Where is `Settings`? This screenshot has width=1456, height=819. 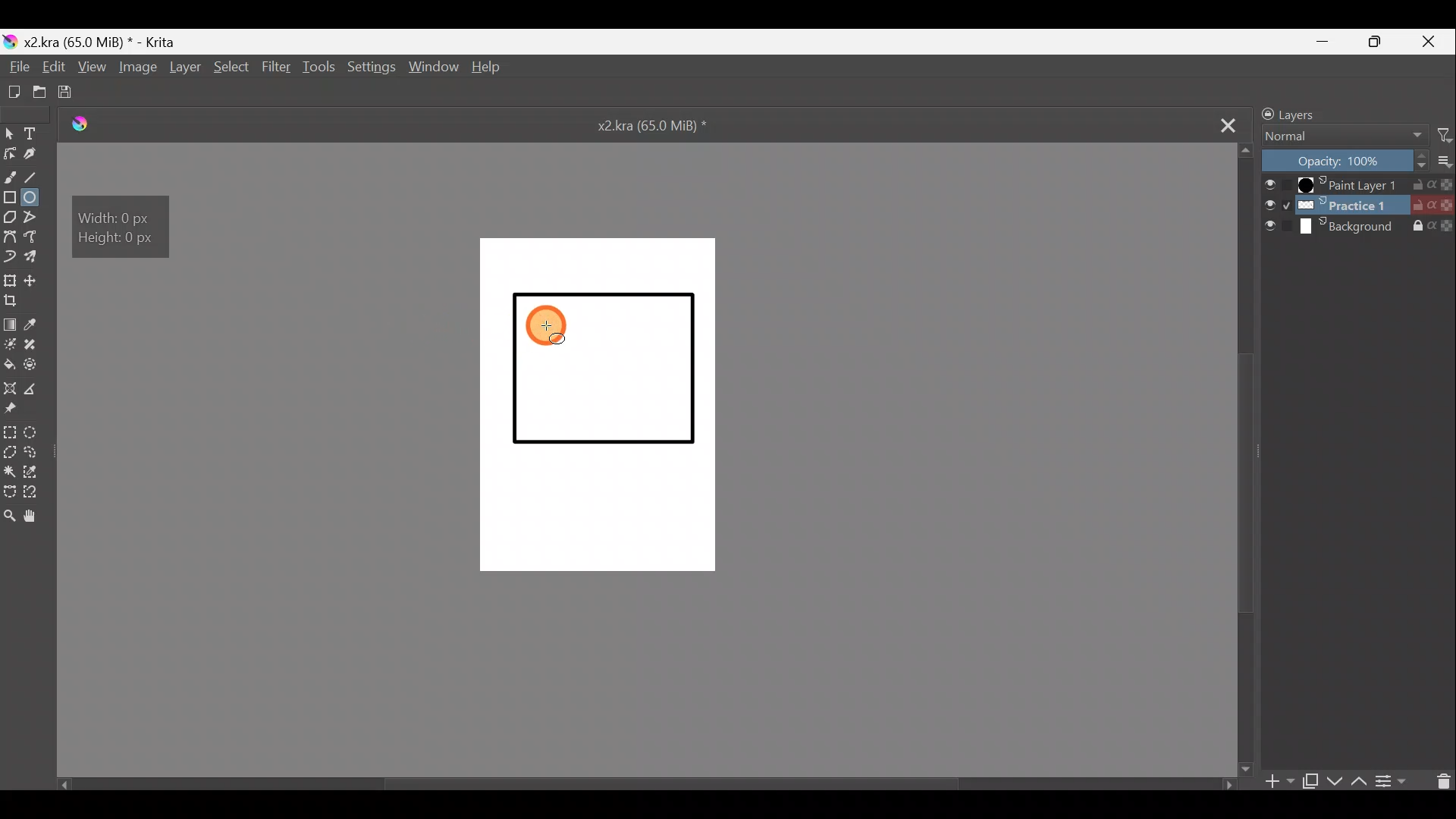 Settings is located at coordinates (372, 69).